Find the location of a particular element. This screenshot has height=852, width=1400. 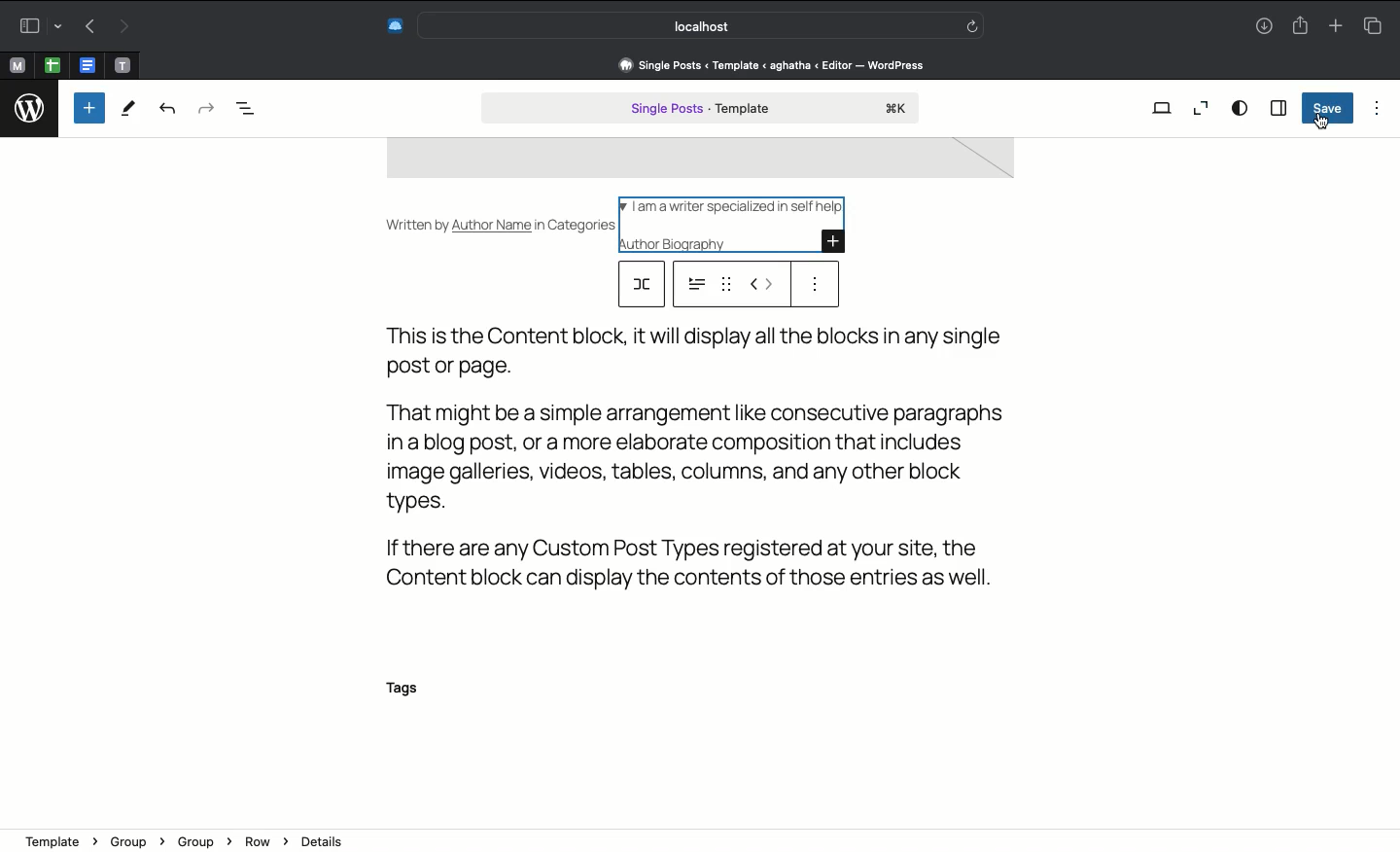

I am a writer specialized in self help is located at coordinates (735, 206).